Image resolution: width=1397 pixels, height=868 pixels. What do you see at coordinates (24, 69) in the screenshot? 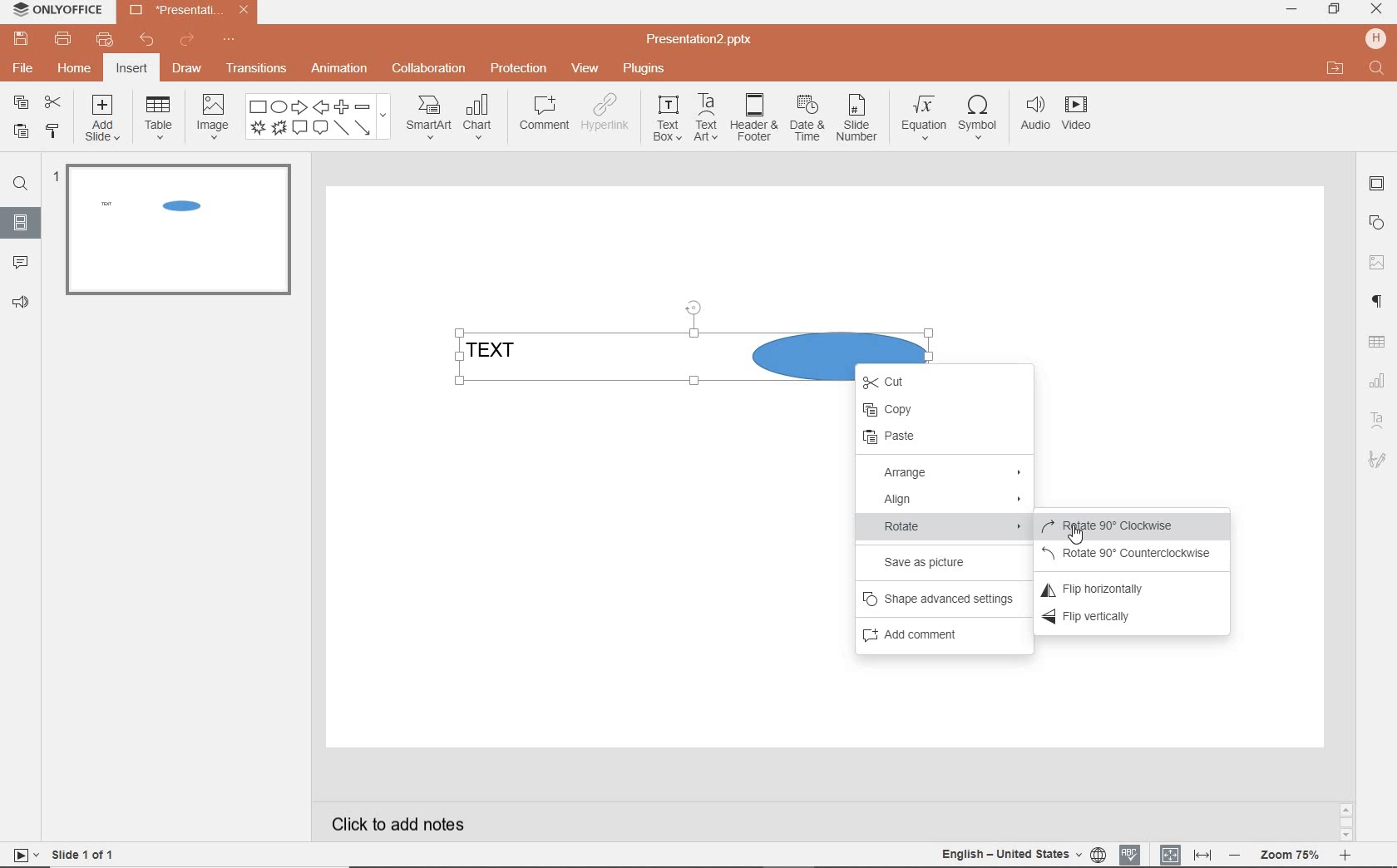
I see `file` at bounding box center [24, 69].